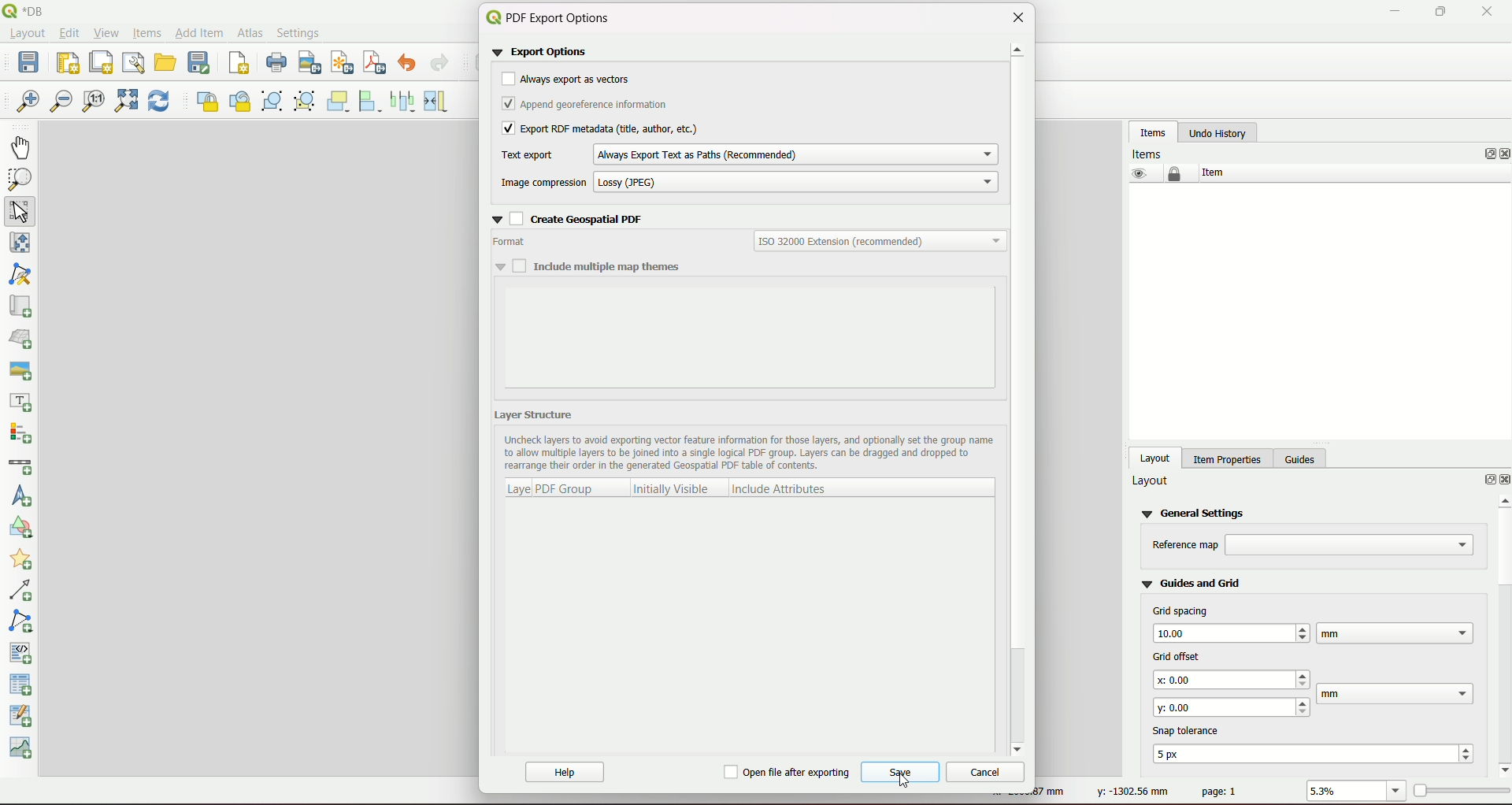 Image resolution: width=1512 pixels, height=805 pixels. Describe the element at coordinates (1217, 133) in the screenshot. I see `undo history` at that location.